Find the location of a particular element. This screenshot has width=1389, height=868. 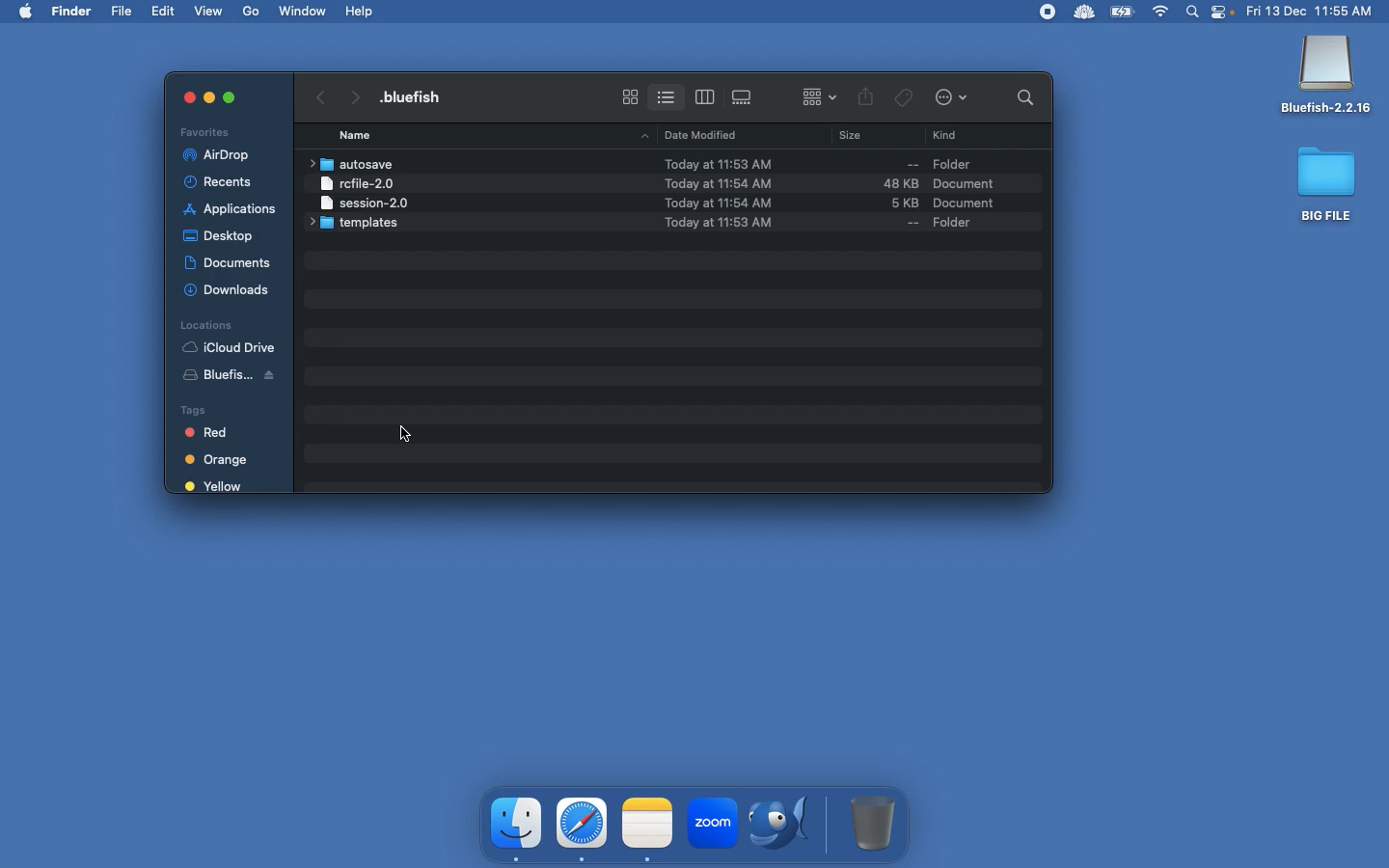

finder is located at coordinates (518, 824).